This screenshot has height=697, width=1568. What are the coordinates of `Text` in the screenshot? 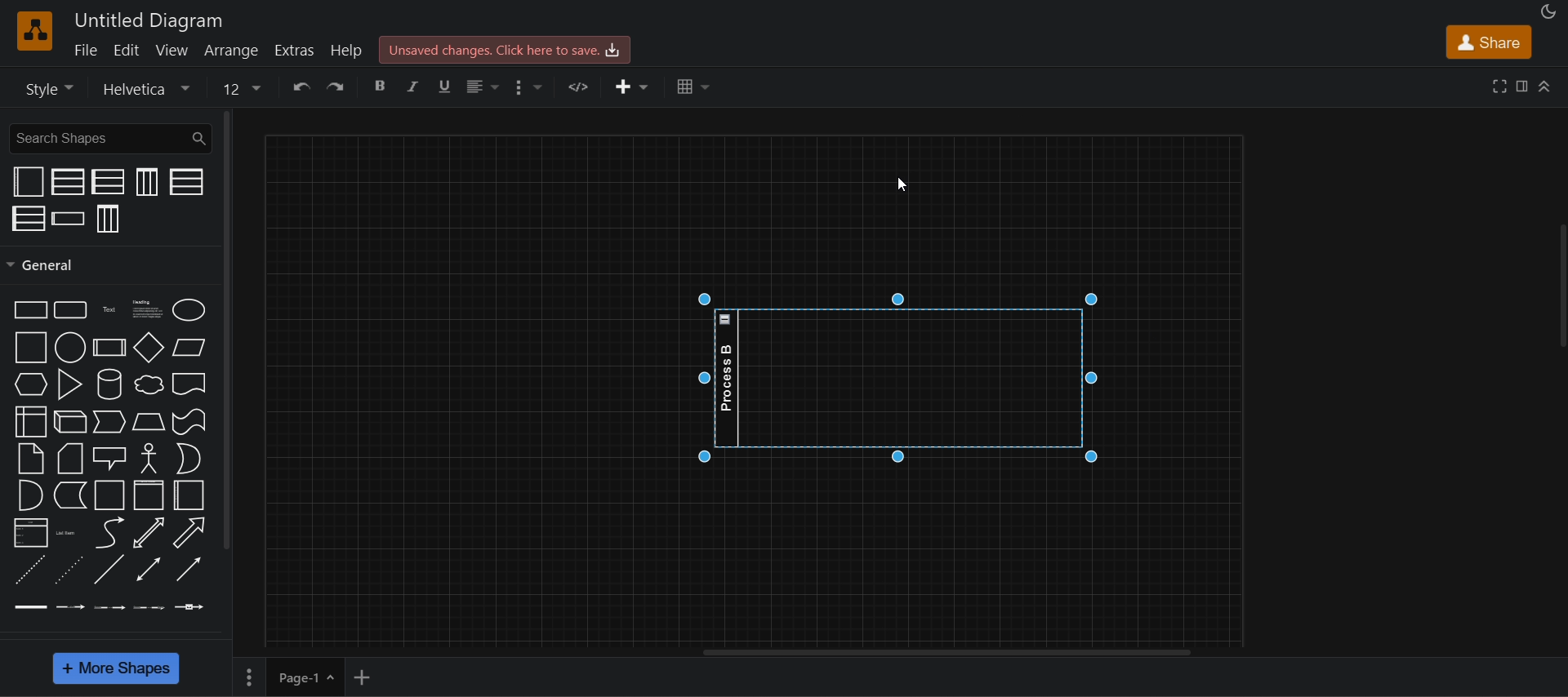 It's located at (108, 309).